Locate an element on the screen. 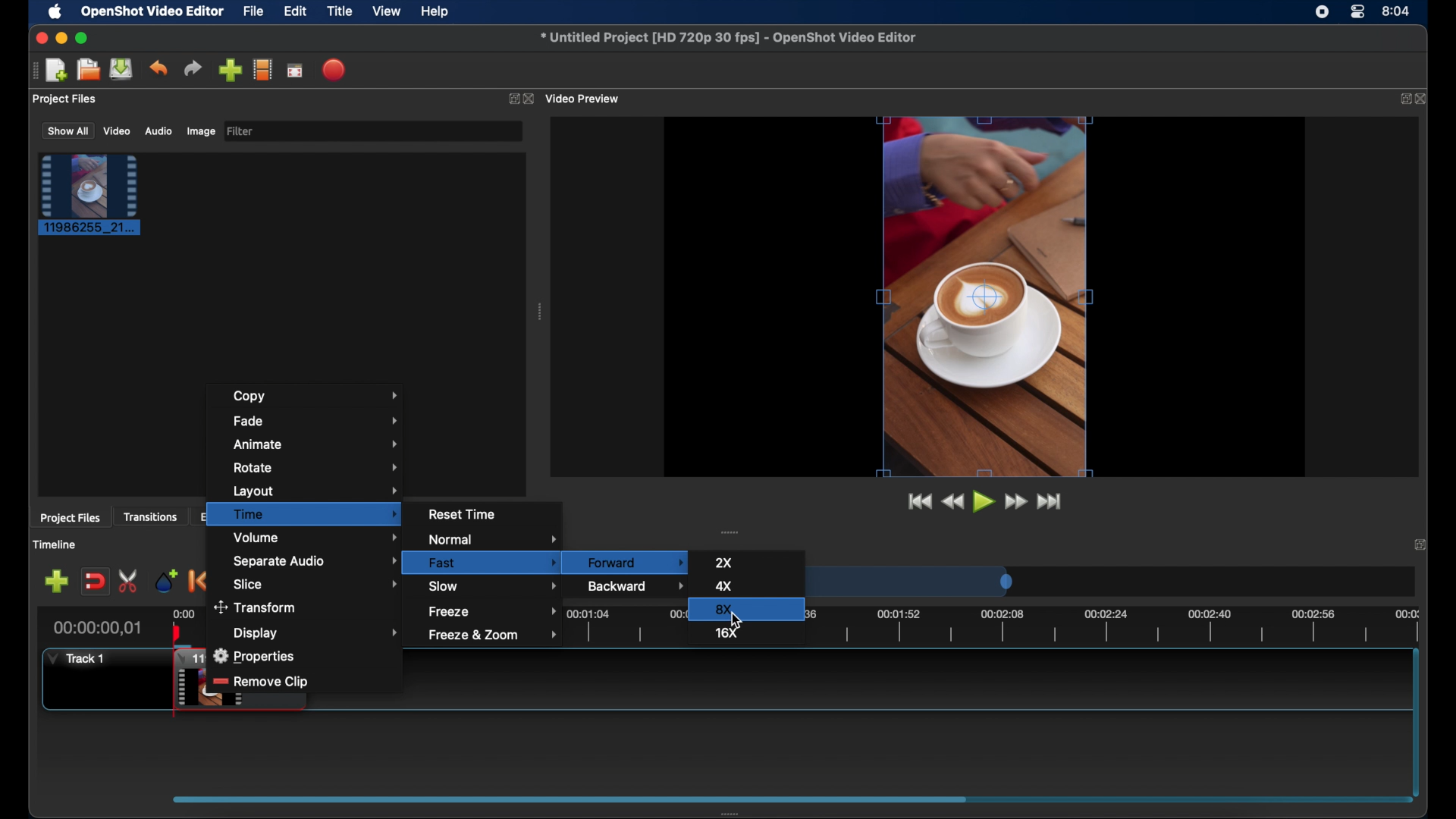 The width and height of the screenshot is (1456, 819). rotate menu is located at coordinates (317, 467).